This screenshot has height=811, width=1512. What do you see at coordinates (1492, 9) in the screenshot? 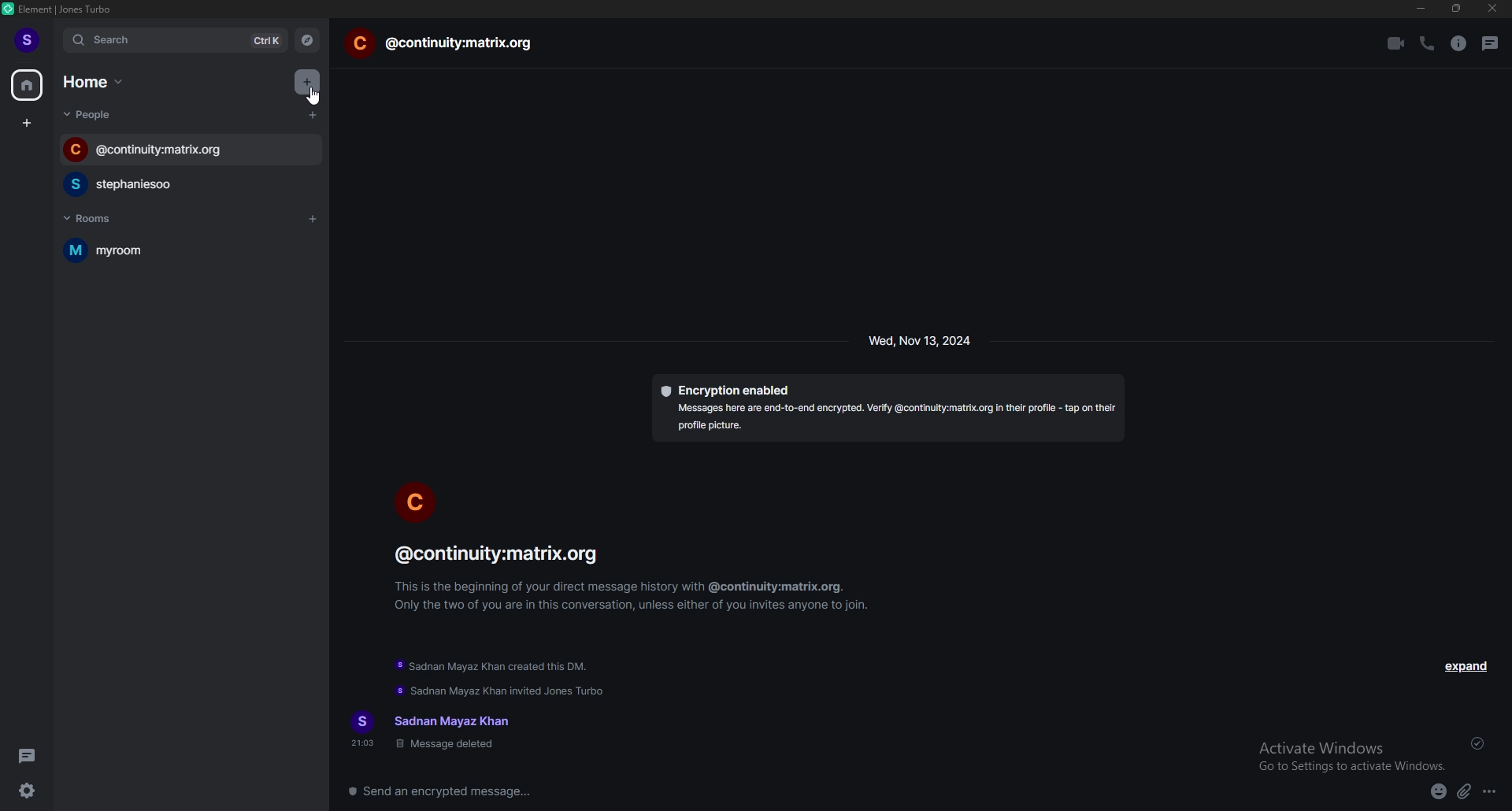
I see `close` at bounding box center [1492, 9].